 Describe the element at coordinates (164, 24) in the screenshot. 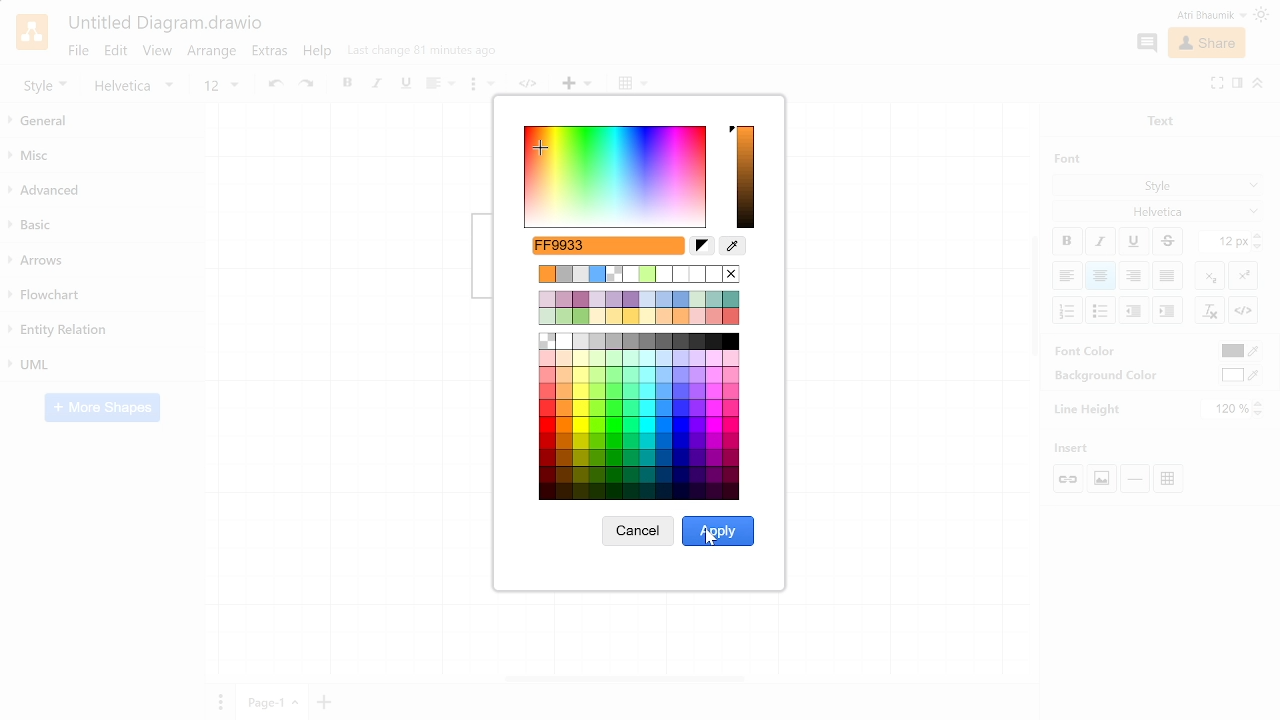

I see `Current window` at that location.